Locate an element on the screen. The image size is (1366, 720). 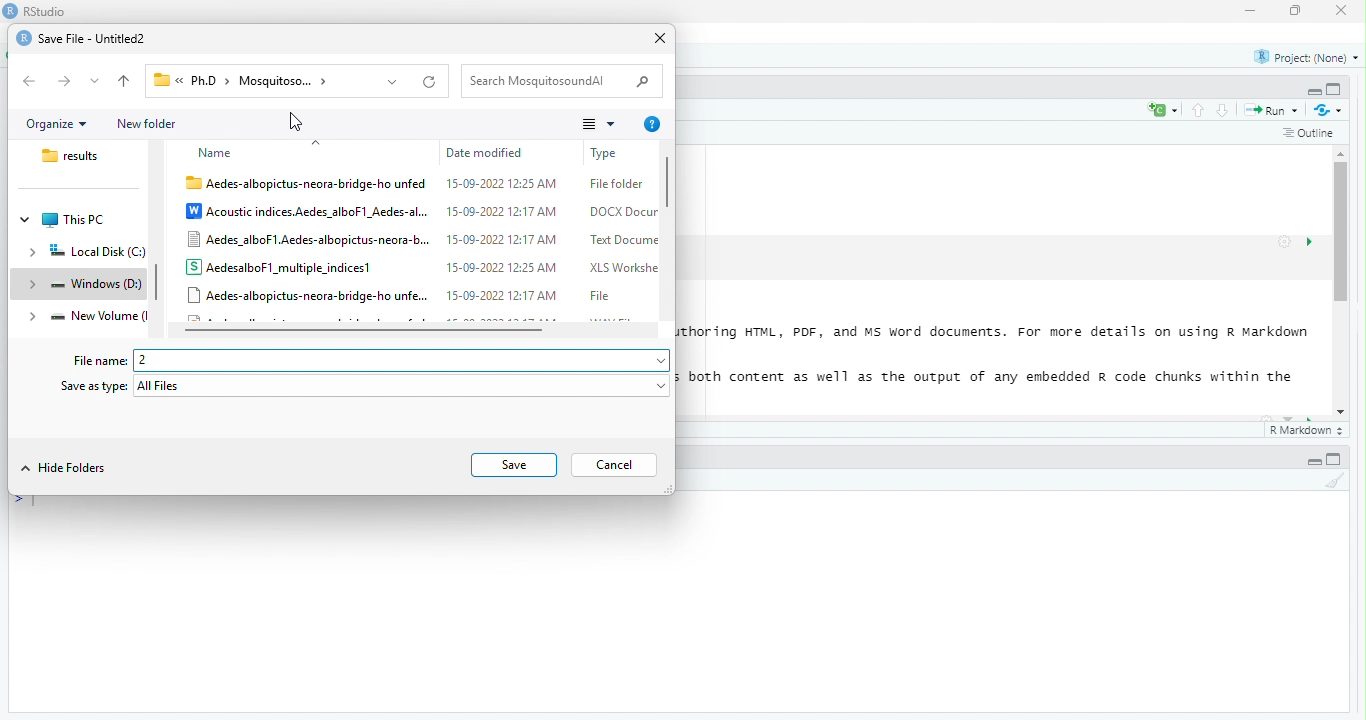
Local Disk (C:) is located at coordinates (96, 252).